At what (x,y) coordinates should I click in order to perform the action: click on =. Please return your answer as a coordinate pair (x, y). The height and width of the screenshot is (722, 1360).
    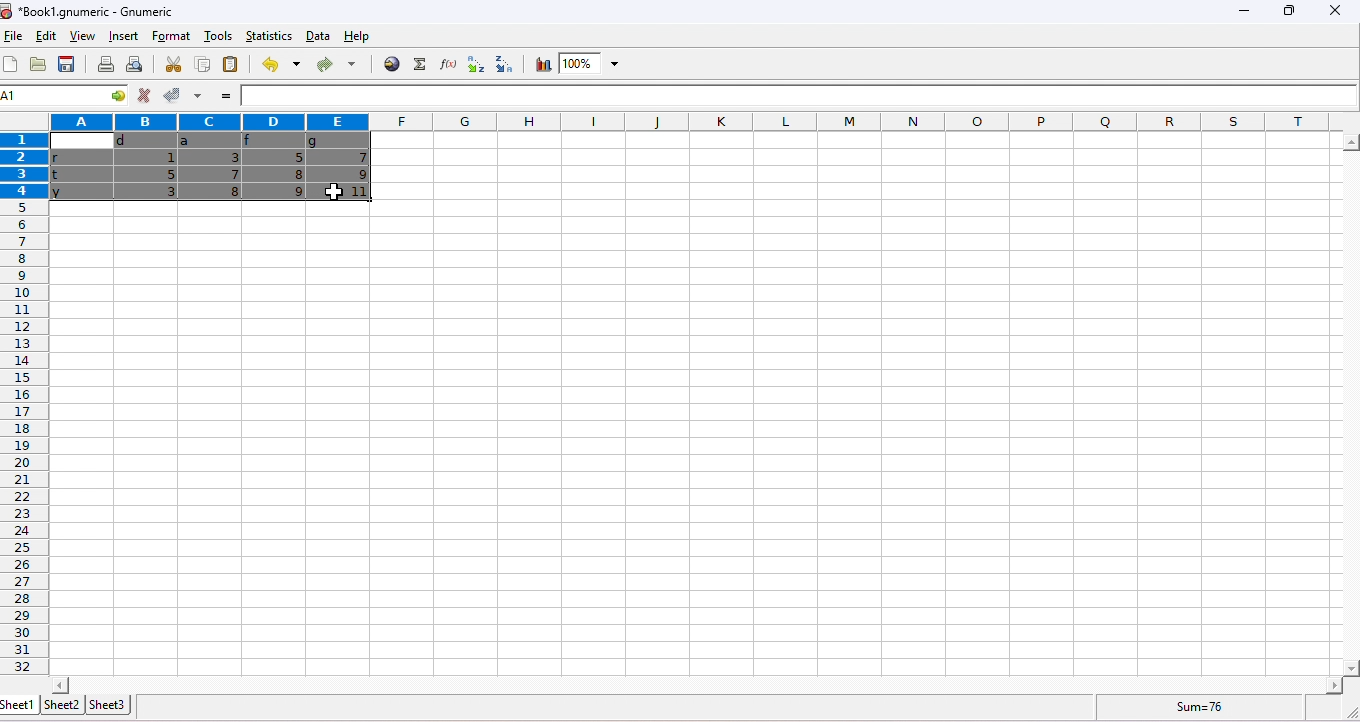
    Looking at the image, I should click on (224, 97).